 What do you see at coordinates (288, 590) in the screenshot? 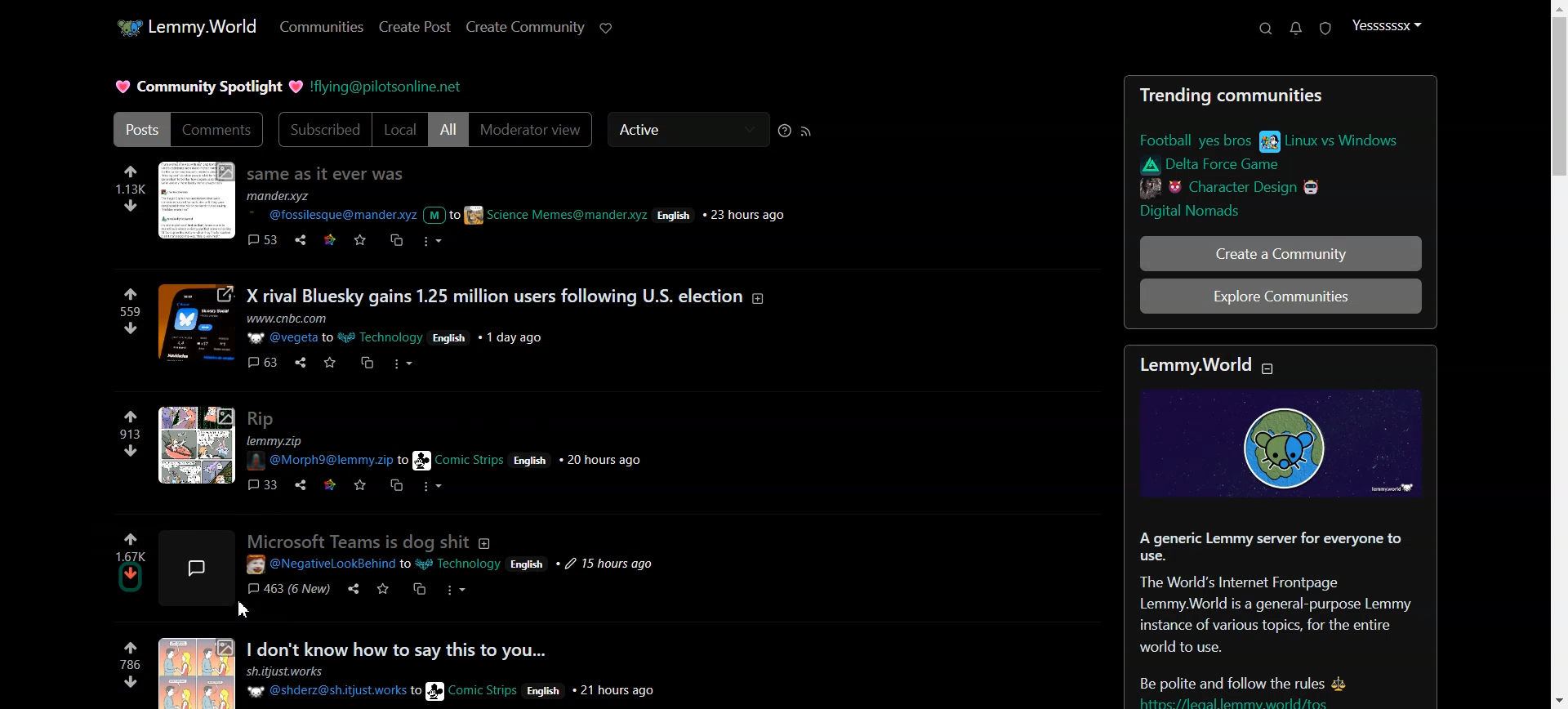
I see `comments` at bounding box center [288, 590].